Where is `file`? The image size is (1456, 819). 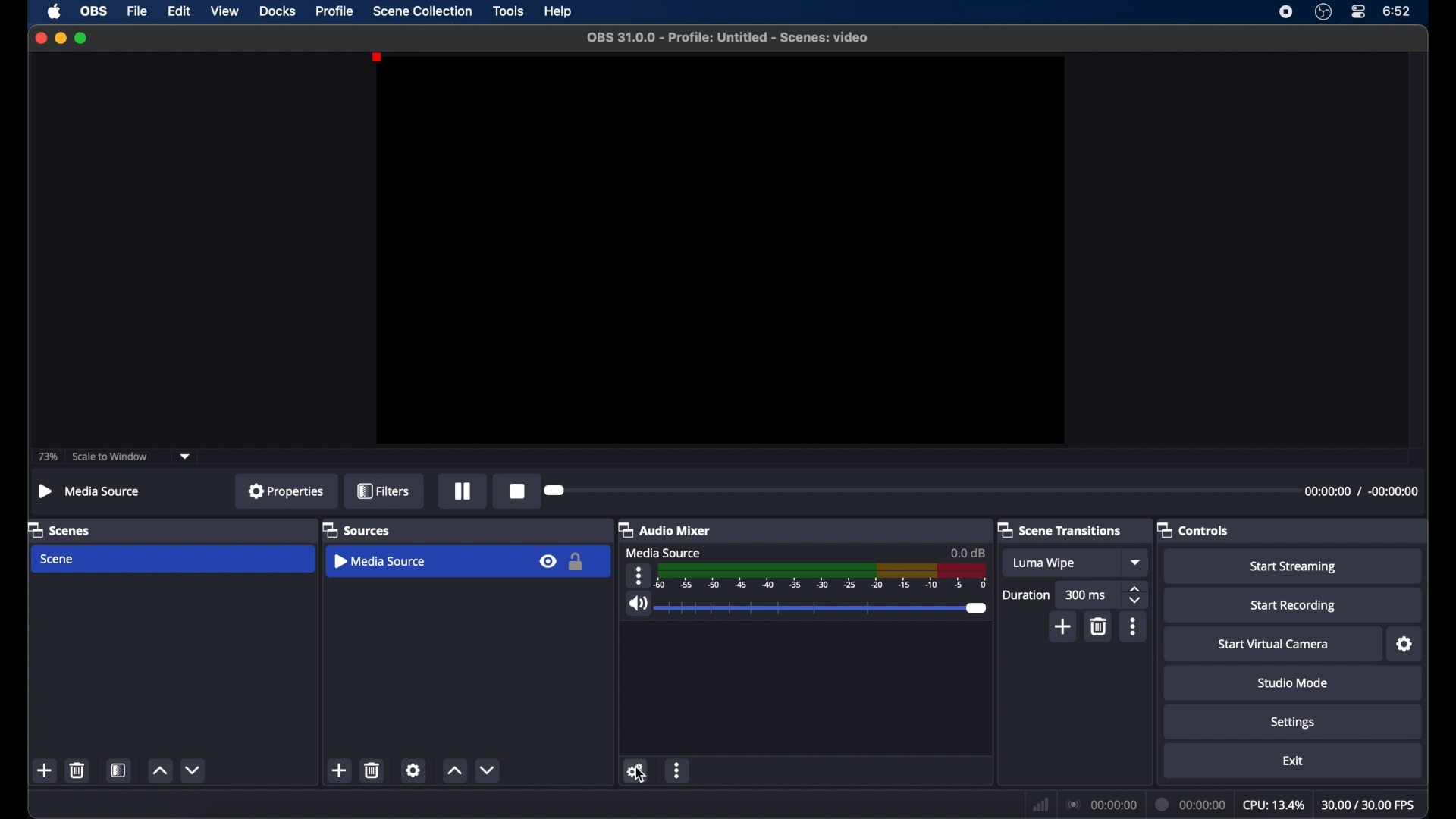
file is located at coordinates (136, 11).